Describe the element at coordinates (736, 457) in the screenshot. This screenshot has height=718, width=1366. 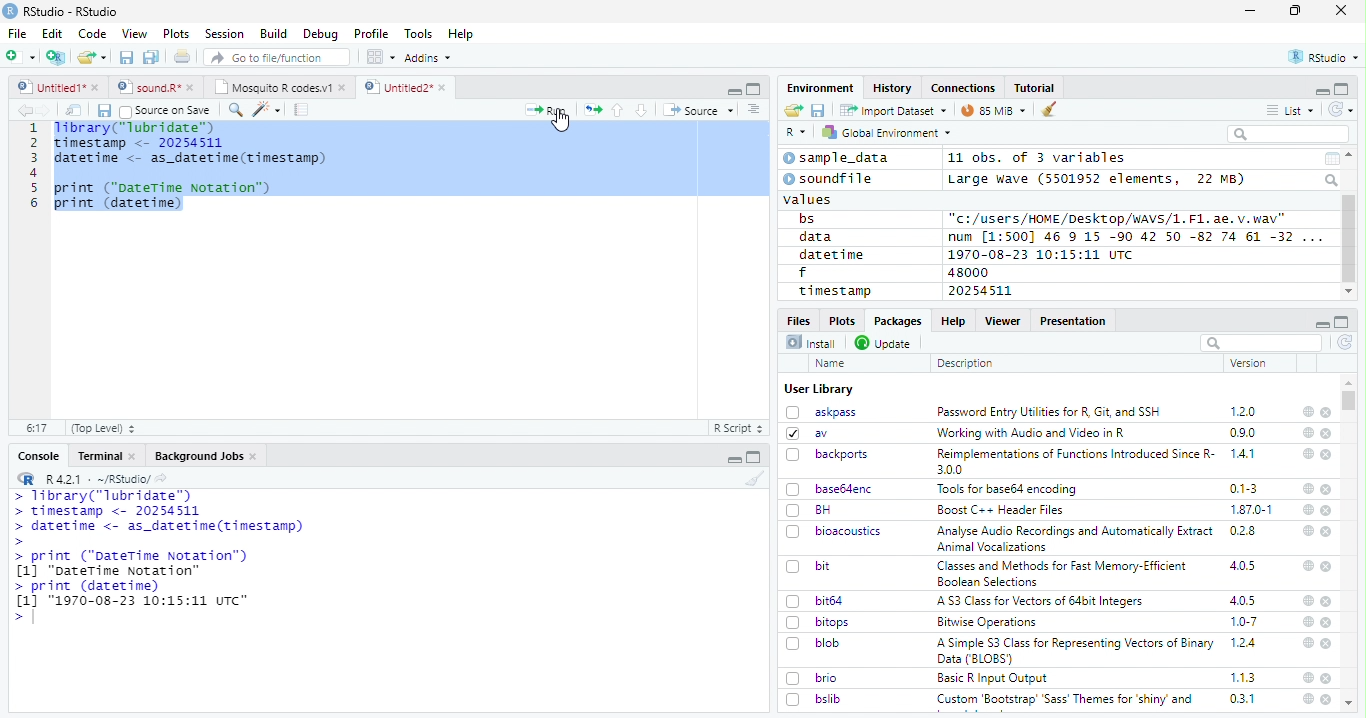
I see `minimize` at that location.